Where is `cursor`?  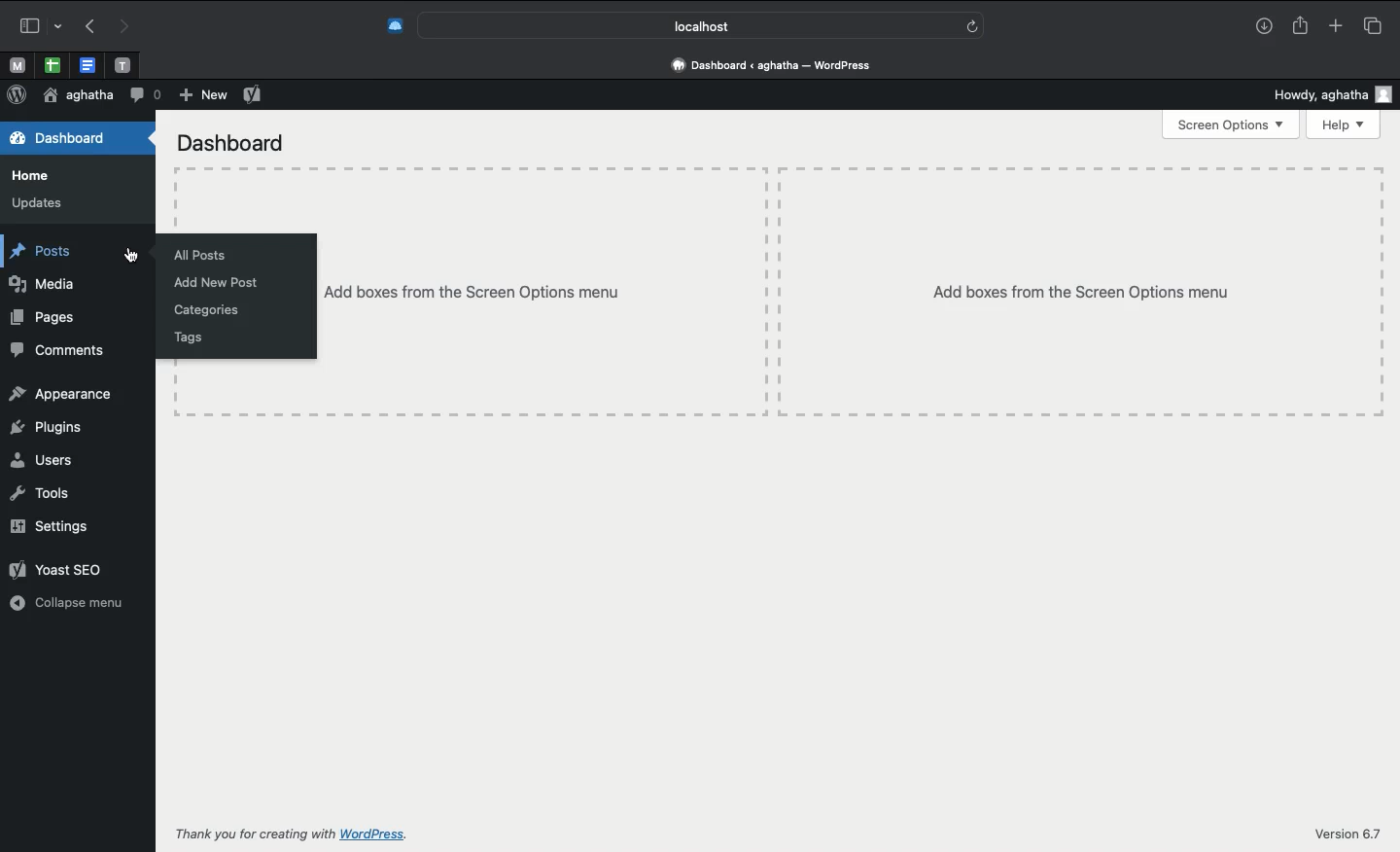
cursor is located at coordinates (130, 257).